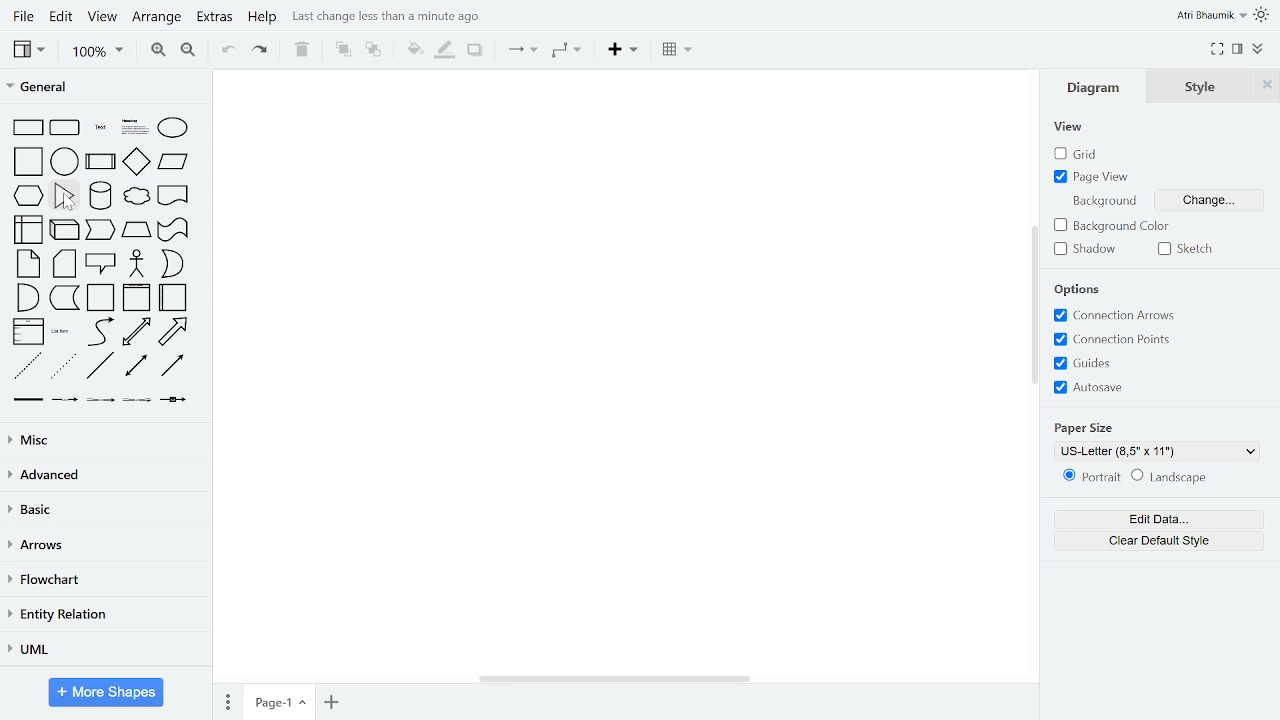  What do you see at coordinates (1237, 48) in the screenshot?
I see `format` at bounding box center [1237, 48].